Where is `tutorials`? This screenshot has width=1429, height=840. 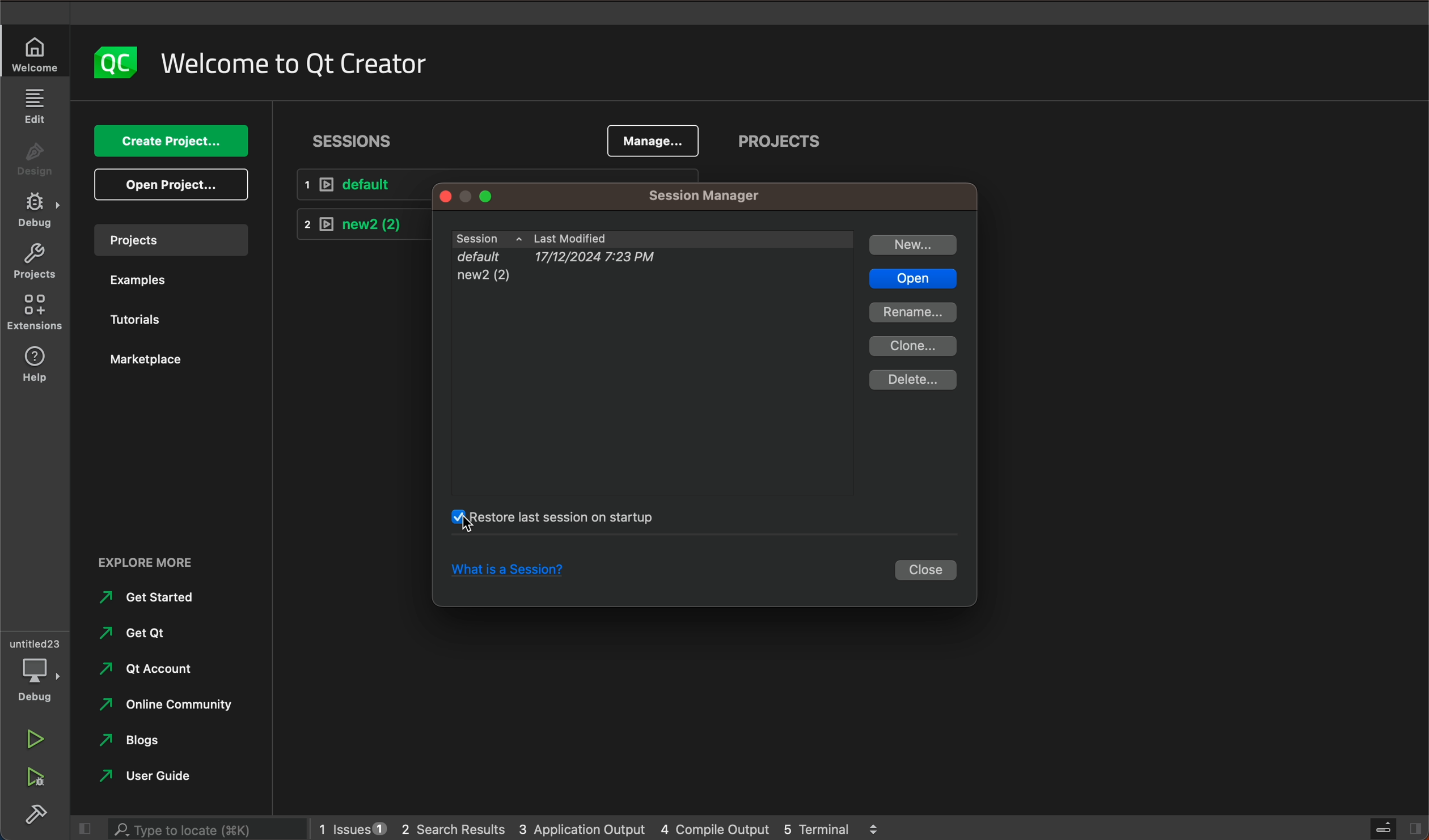 tutorials is located at coordinates (137, 321).